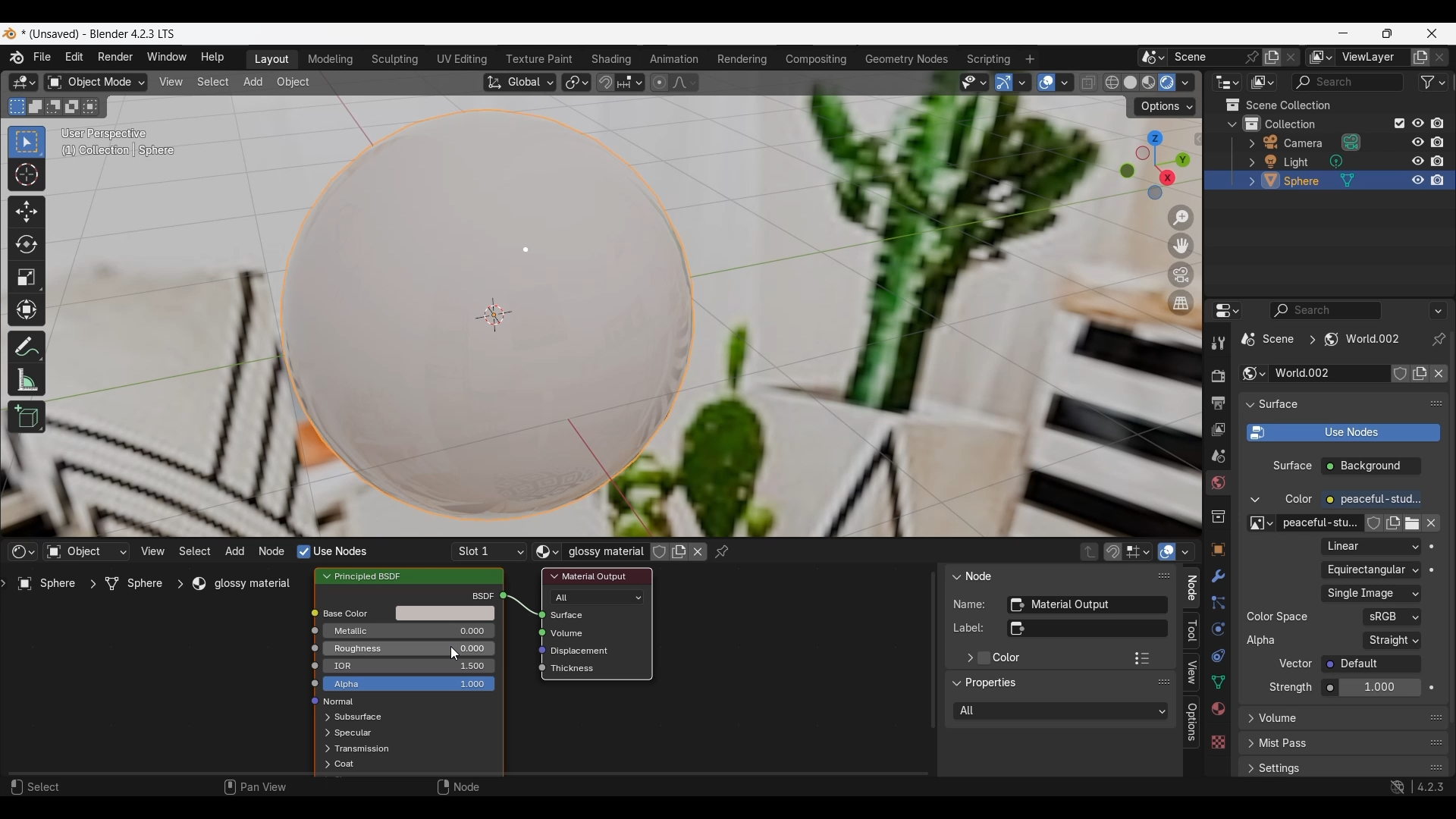 The width and height of the screenshot is (1456, 819). What do you see at coordinates (27, 278) in the screenshot?
I see `Scale` at bounding box center [27, 278].